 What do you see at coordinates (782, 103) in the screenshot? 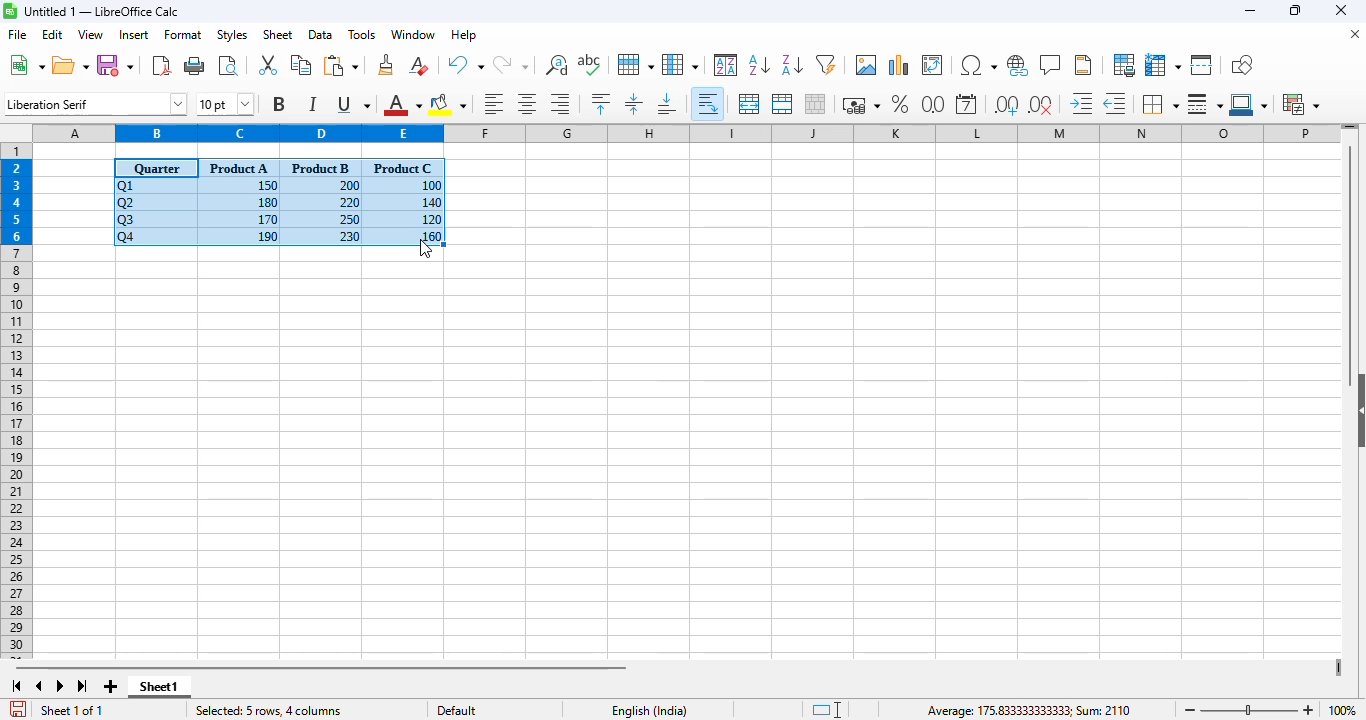
I see `merge cells` at bounding box center [782, 103].